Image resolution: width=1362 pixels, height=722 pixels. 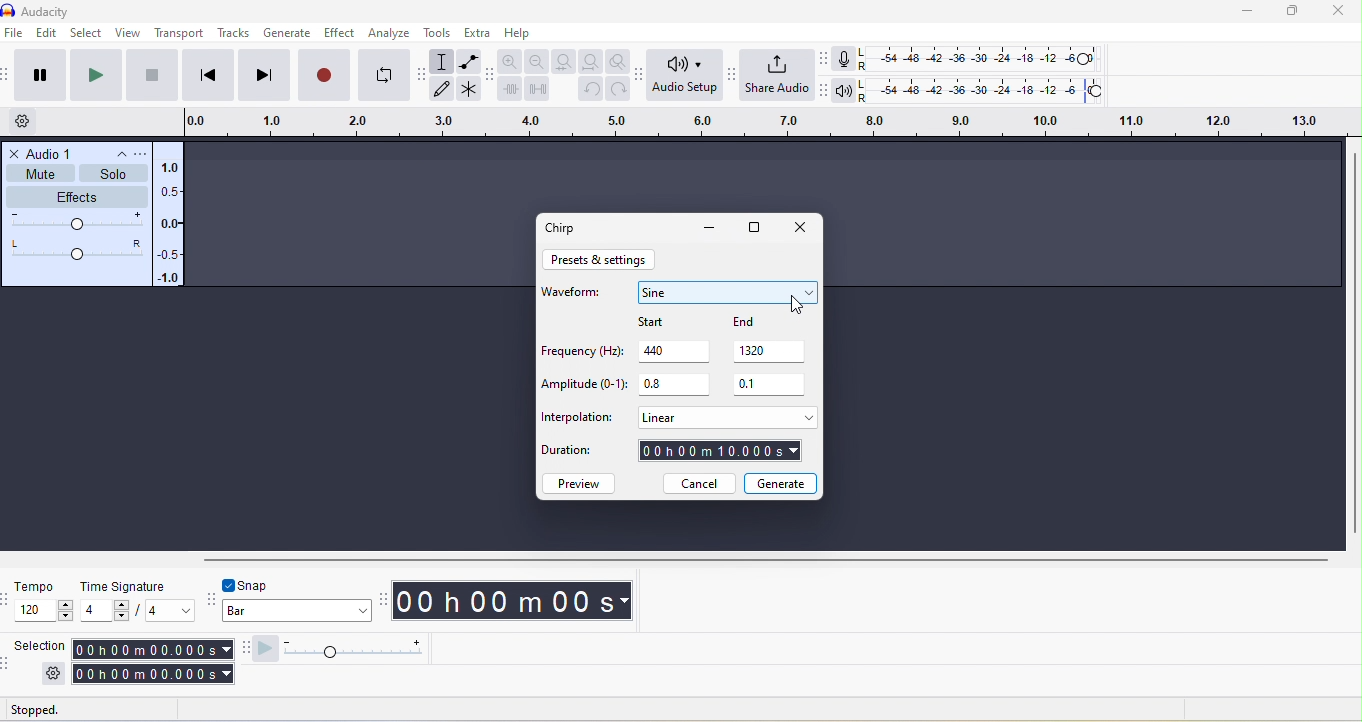 I want to click on cursor movement, so click(x=796, y=304).